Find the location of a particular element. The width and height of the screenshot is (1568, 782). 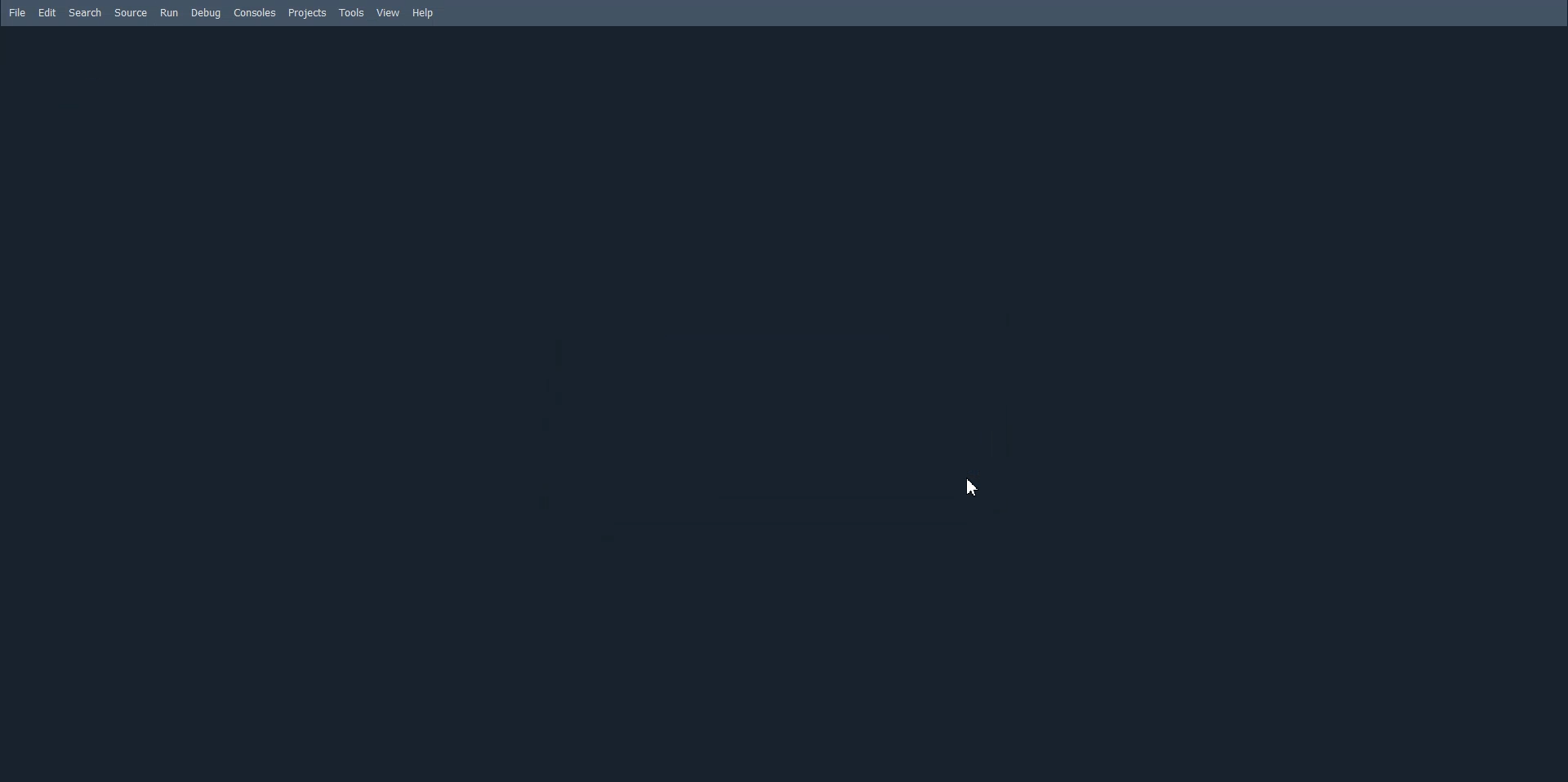

File is located at coordinates (17, 11).